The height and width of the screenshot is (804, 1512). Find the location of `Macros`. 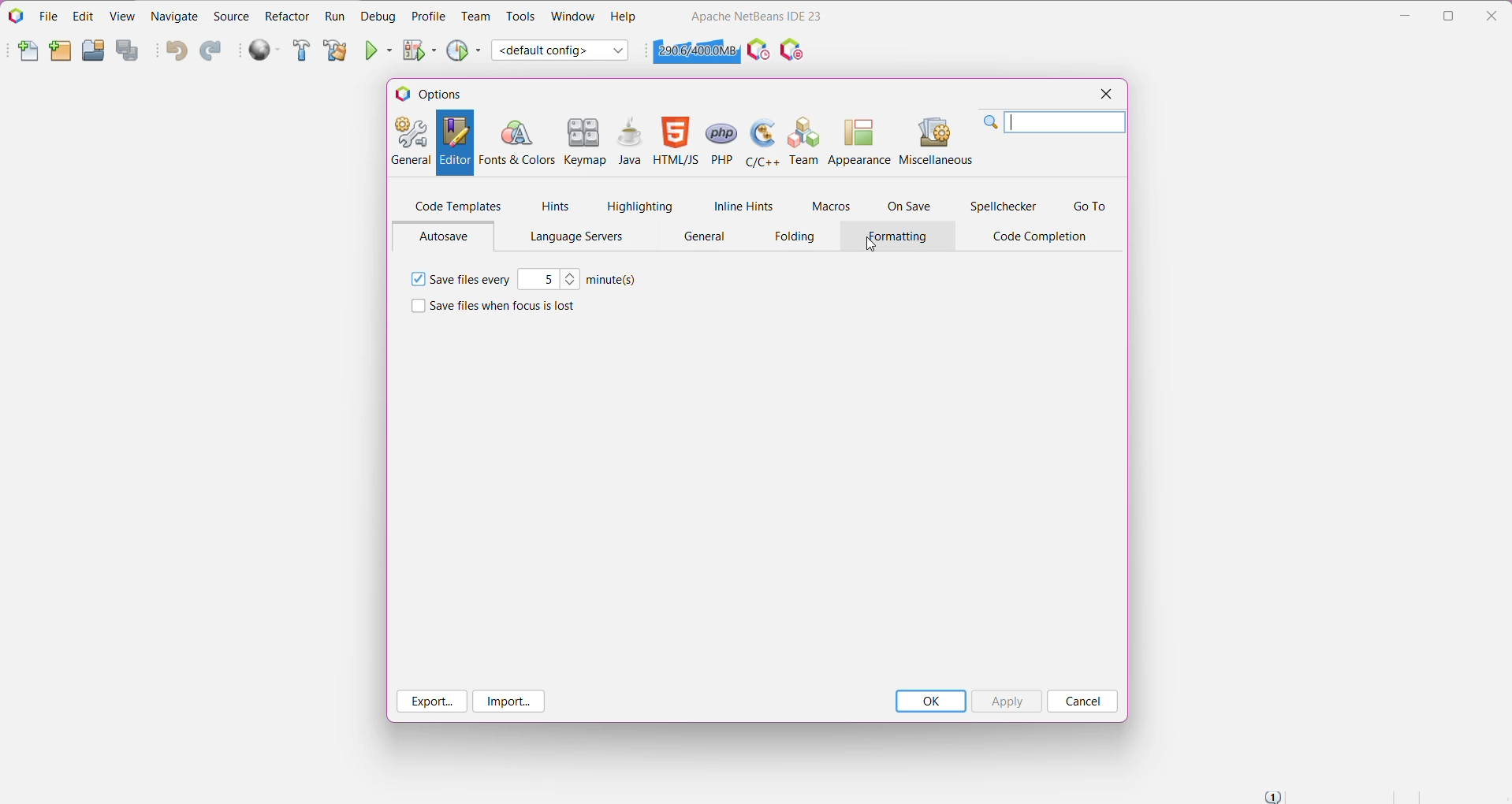

Macros is located at coordinates (829, 208).